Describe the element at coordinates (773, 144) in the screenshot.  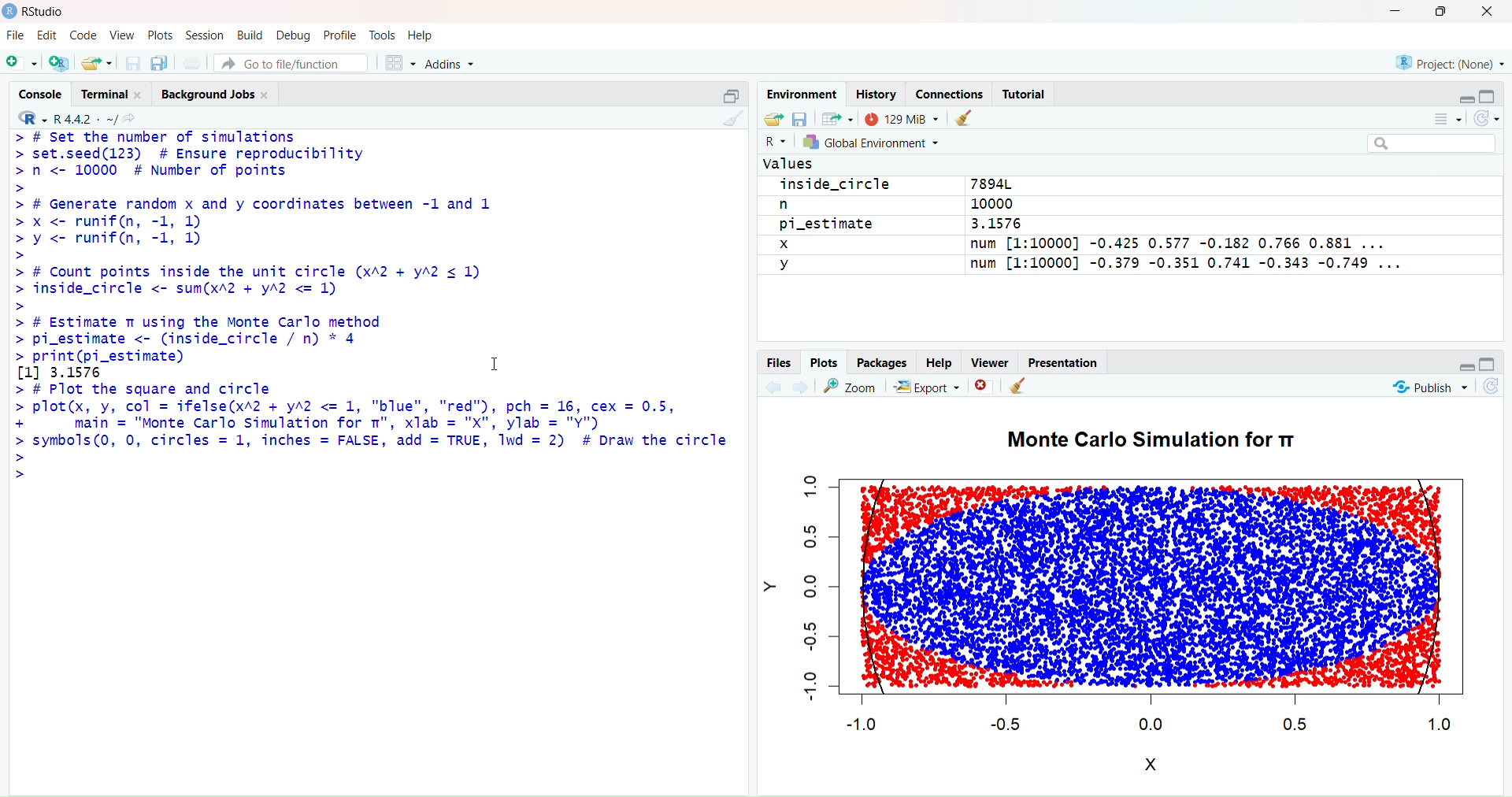
I see `R` at that location.